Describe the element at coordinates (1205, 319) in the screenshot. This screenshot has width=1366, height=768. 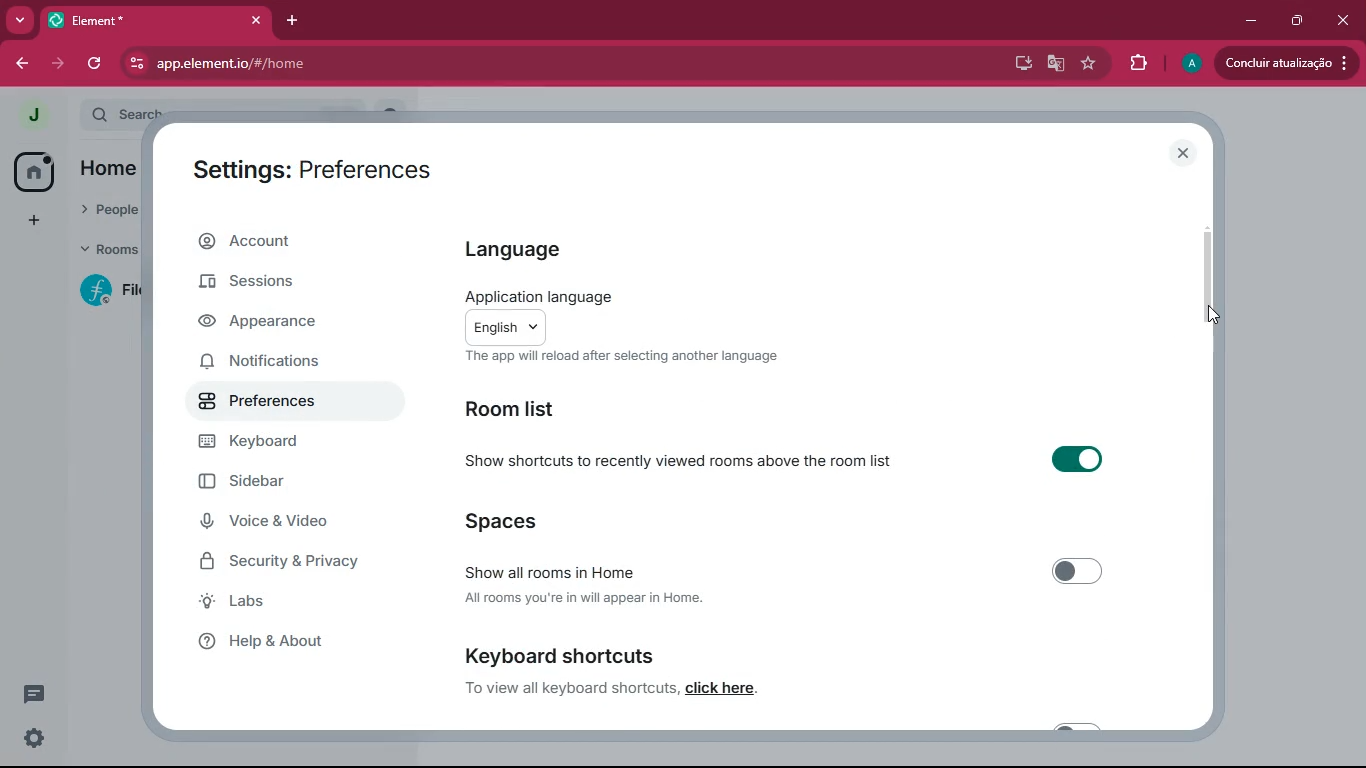
I see `Cursor` at that location.